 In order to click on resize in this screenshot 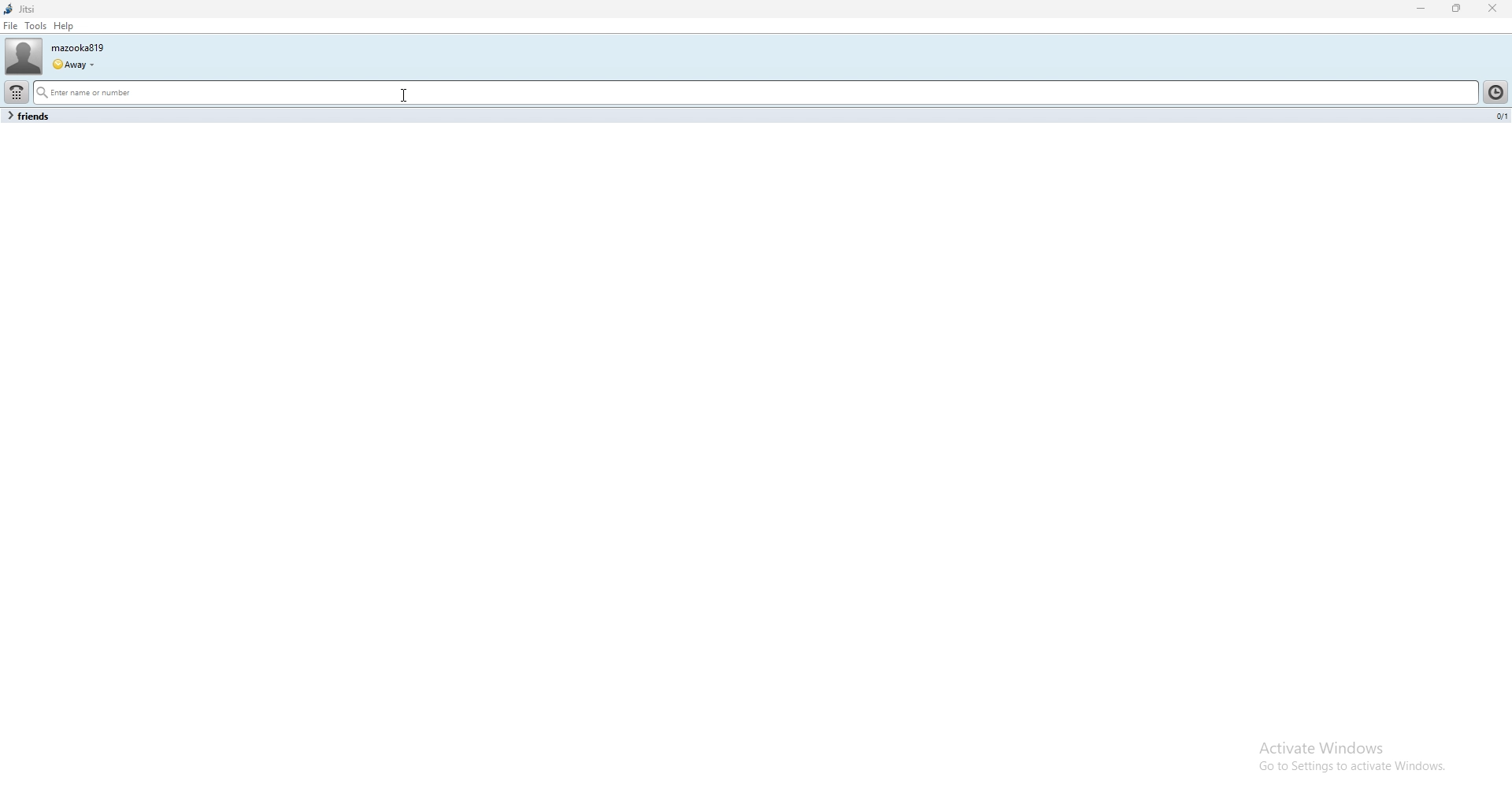, I will do `click(1458, 9)`.